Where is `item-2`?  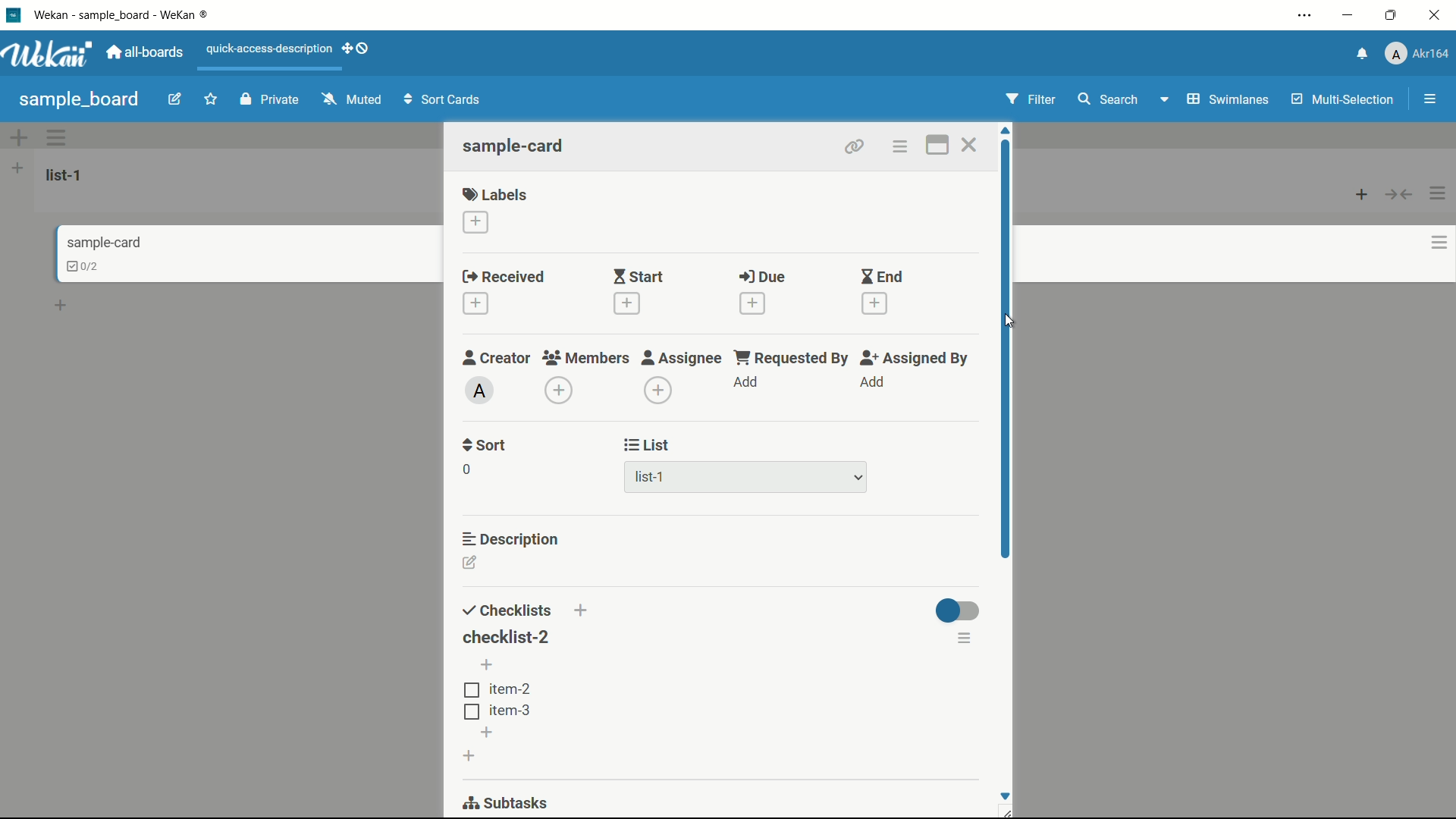 item-2 is located at coordinates (499, 690).